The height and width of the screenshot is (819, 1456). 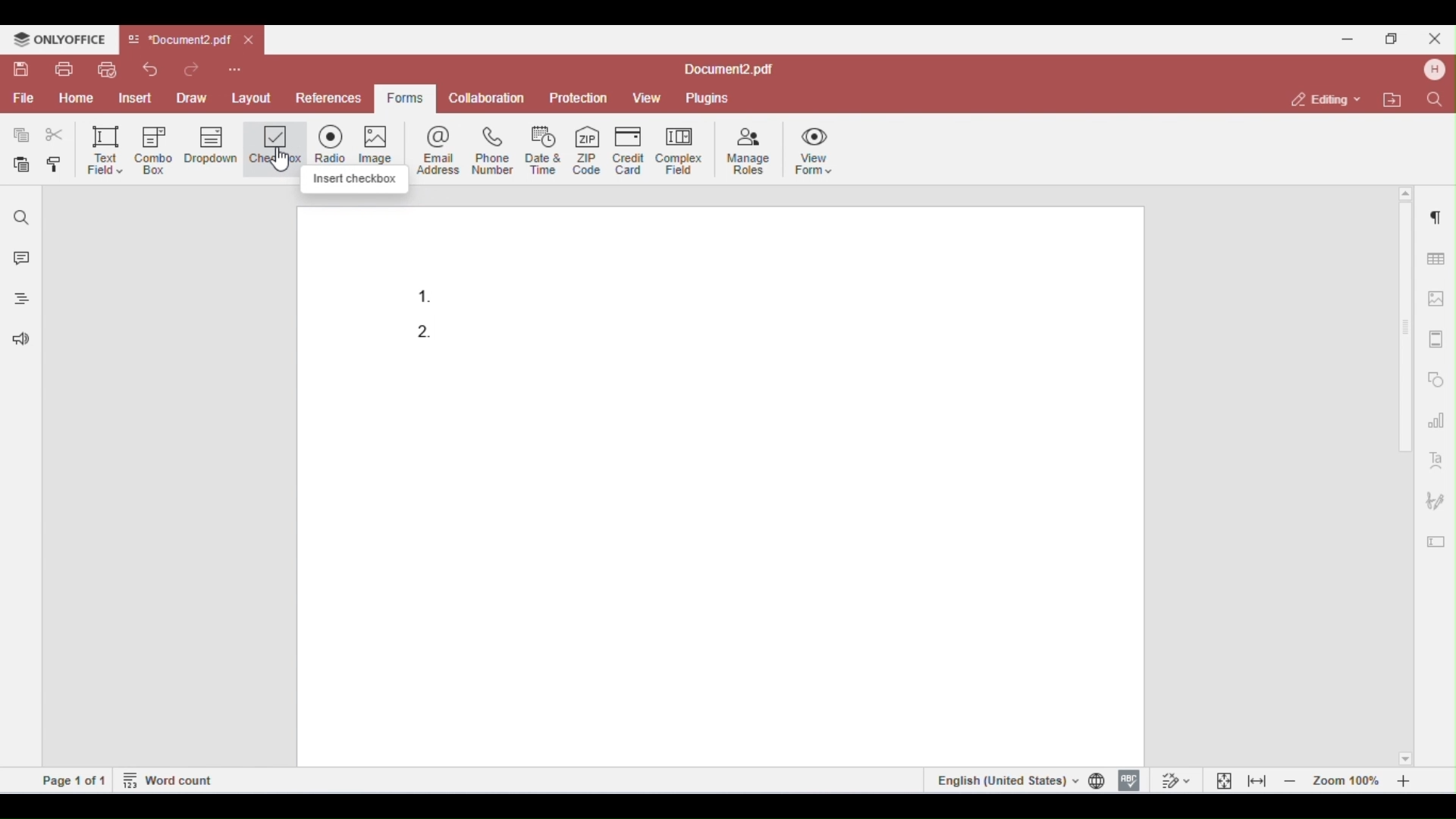 What do you see at coordinates (59, 39) in the screenshot?
I see `onlyoffice` at bounding box center [59, 39].